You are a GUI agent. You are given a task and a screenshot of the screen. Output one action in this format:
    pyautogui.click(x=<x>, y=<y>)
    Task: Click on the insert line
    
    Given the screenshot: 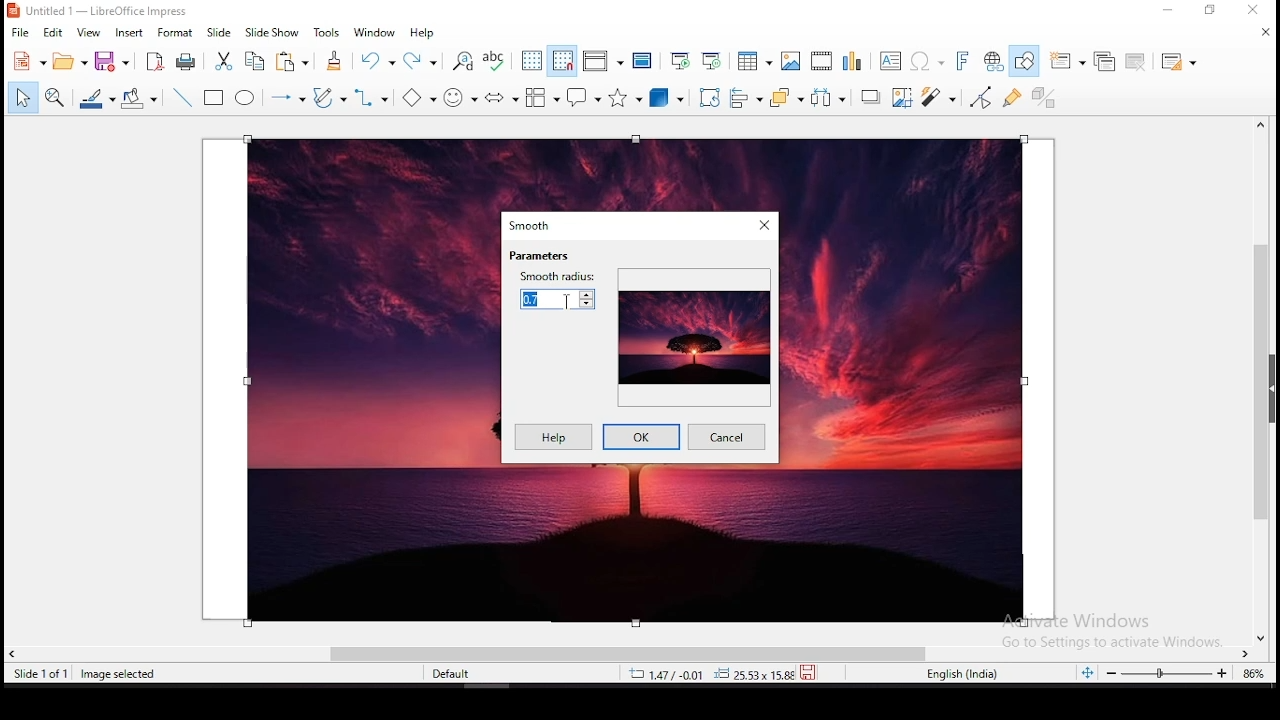 What is the action you would take?
    pyautogui.click(x=181, y=97)
    